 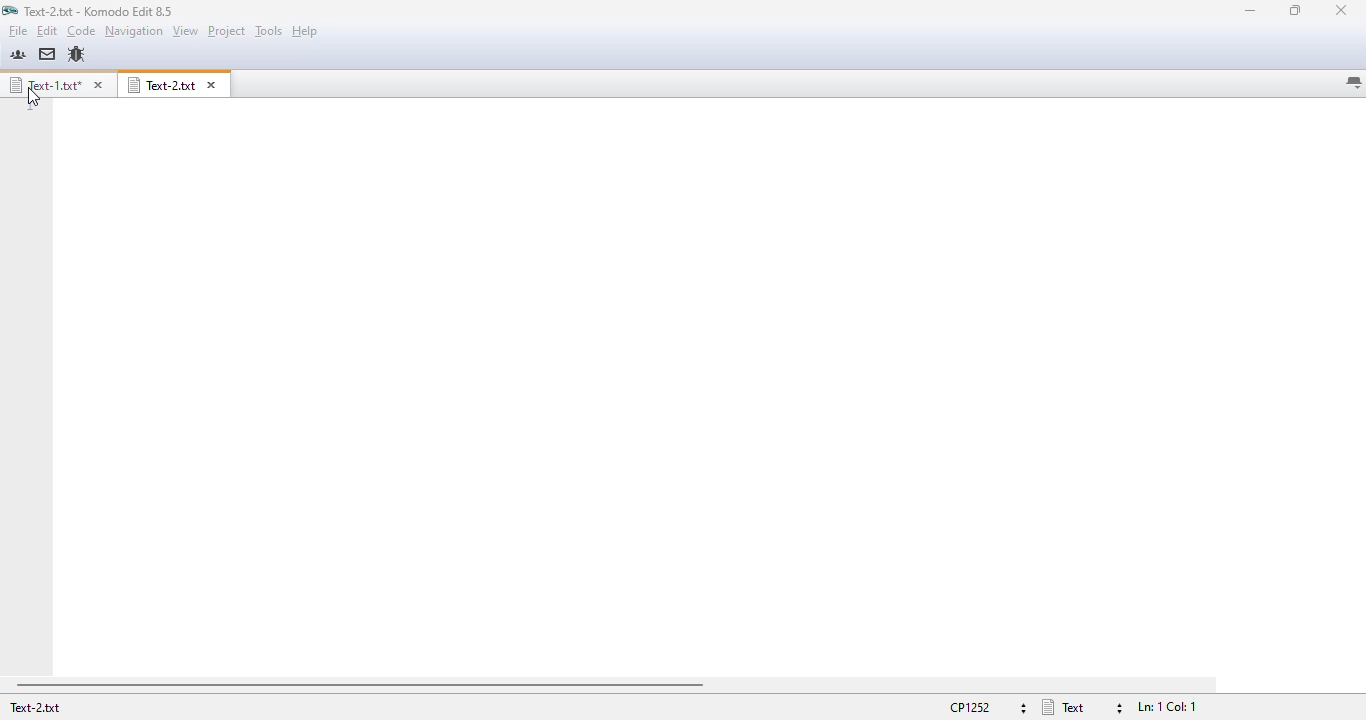 What do you see at coordinates (987, 708) in the screenshot?
I see `file encoding` at bounding box center [987, 708].